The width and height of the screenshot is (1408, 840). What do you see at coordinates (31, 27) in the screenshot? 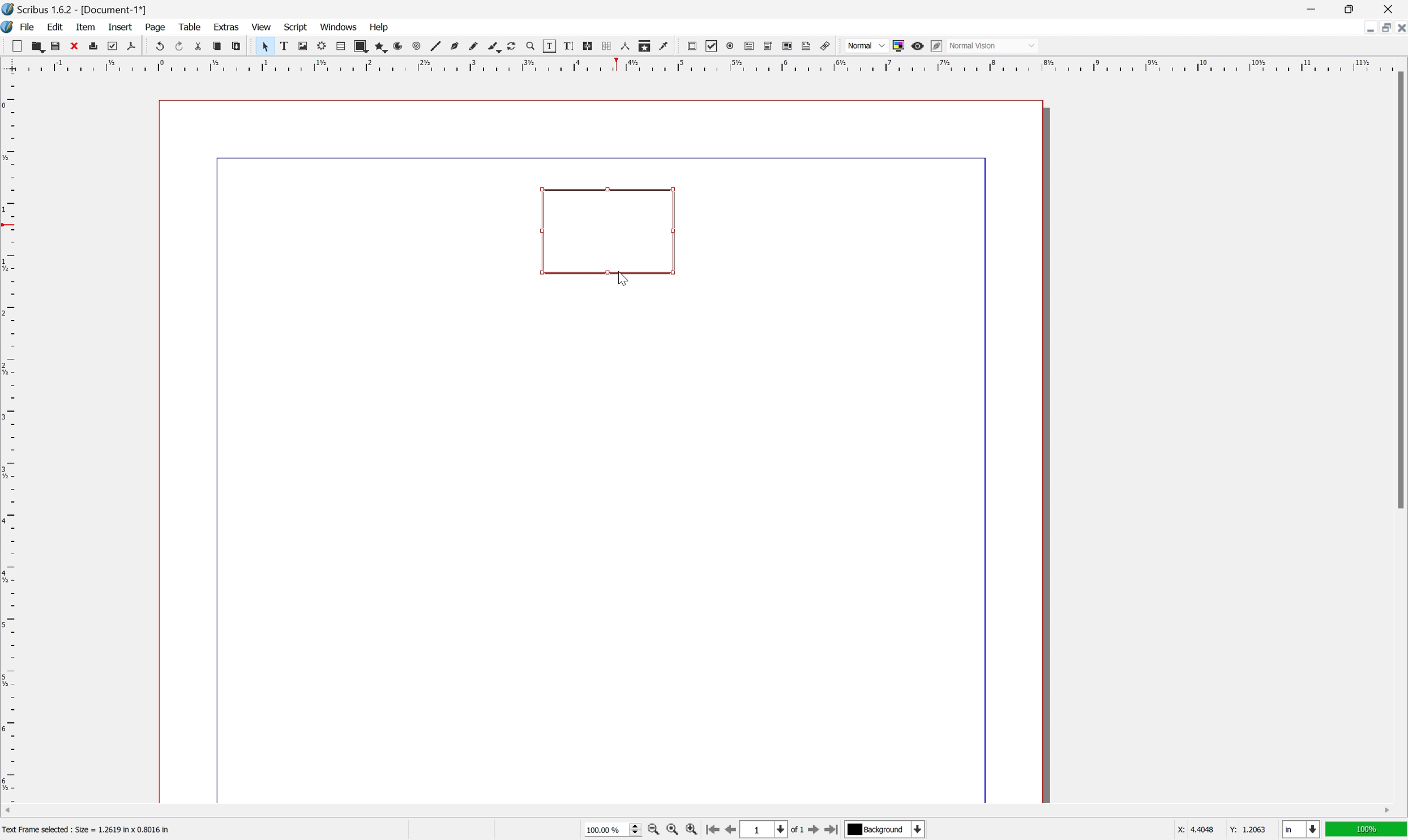
I see `file` at bounding box center [31, 27].